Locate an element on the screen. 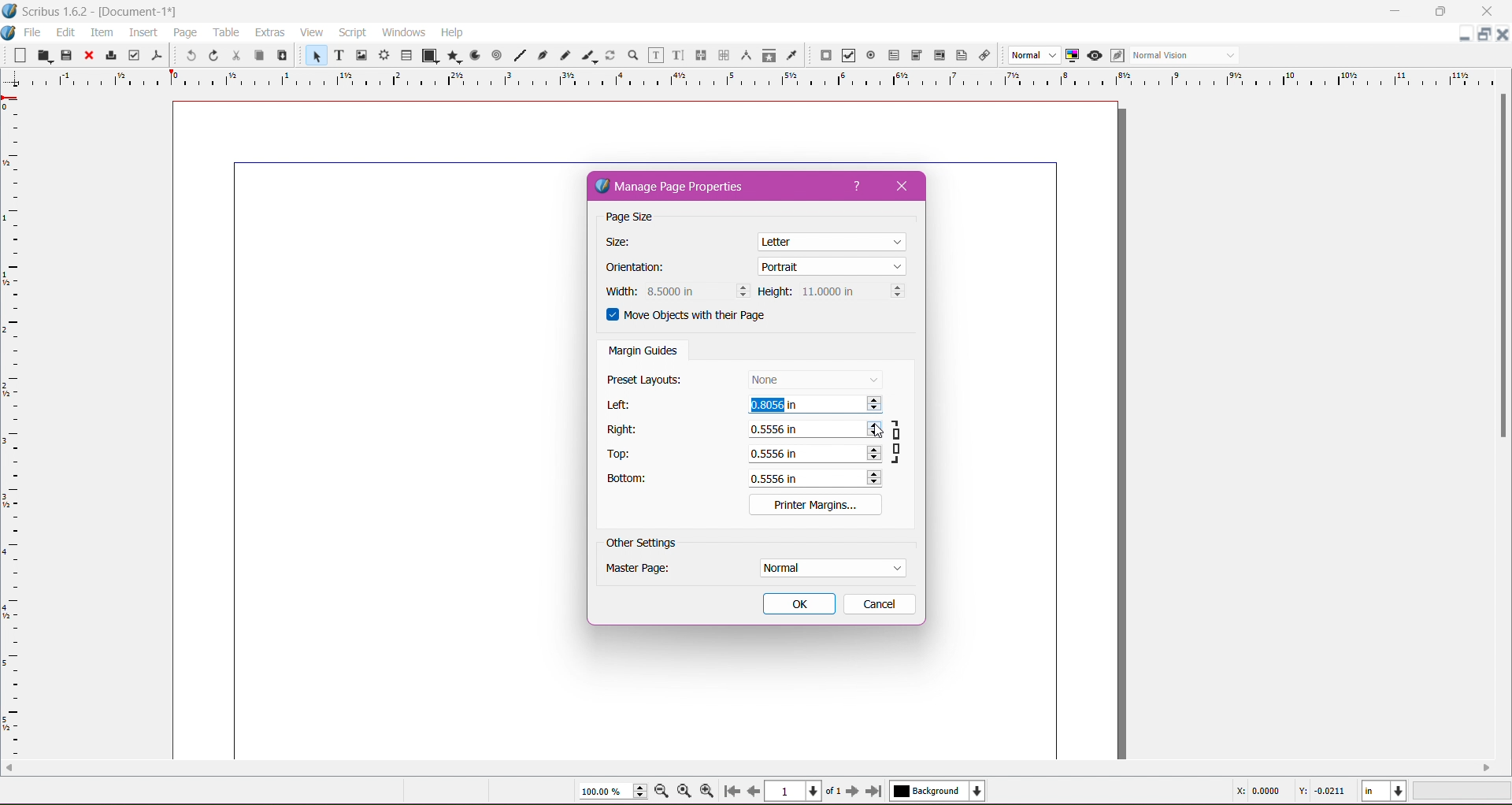 The width and height of the screenshot is (1512, 805). Bezier Curve is located at coordinates (544, 56).